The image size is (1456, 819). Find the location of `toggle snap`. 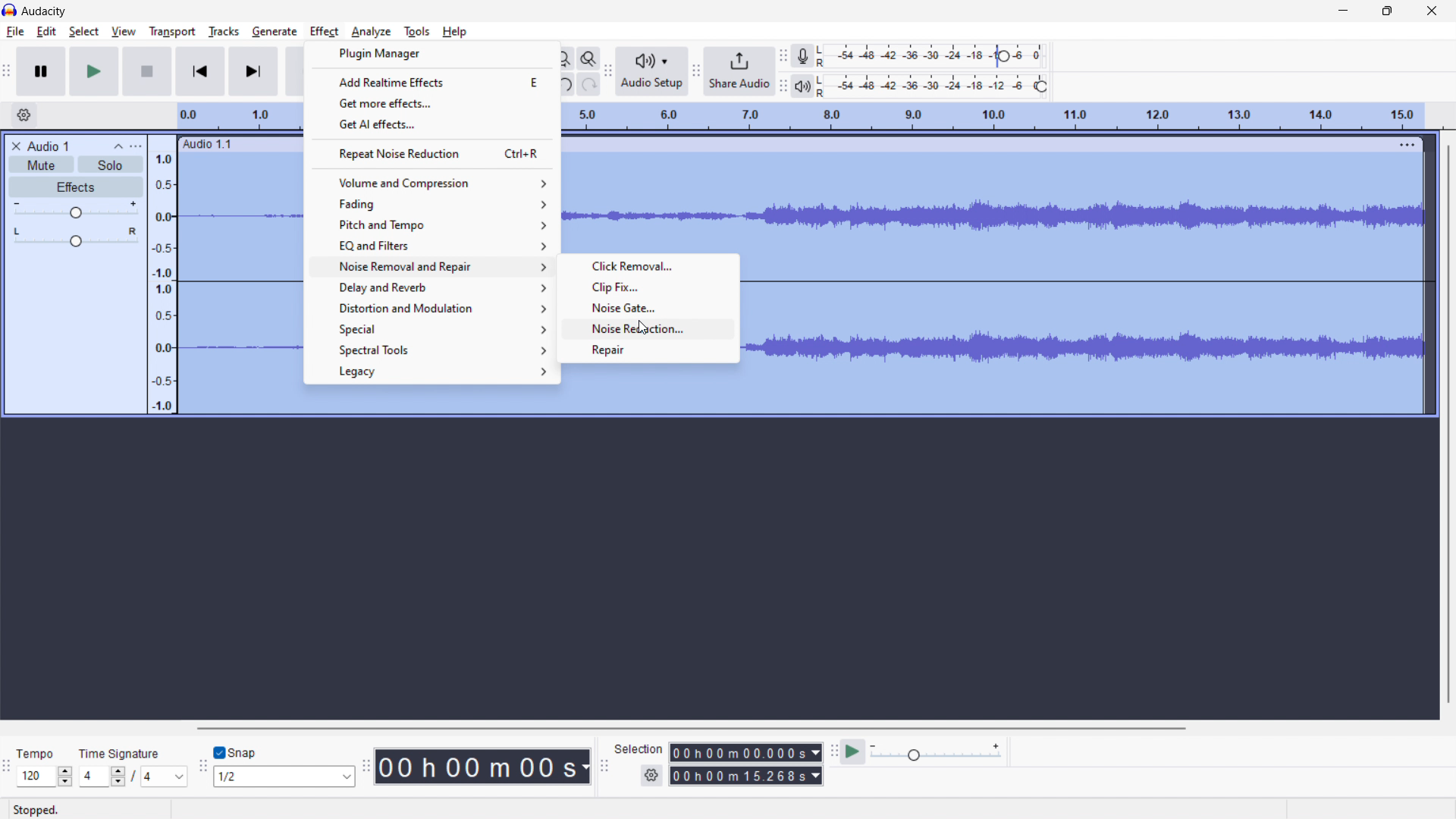

toggle snap is located at coordinates (235, 752).